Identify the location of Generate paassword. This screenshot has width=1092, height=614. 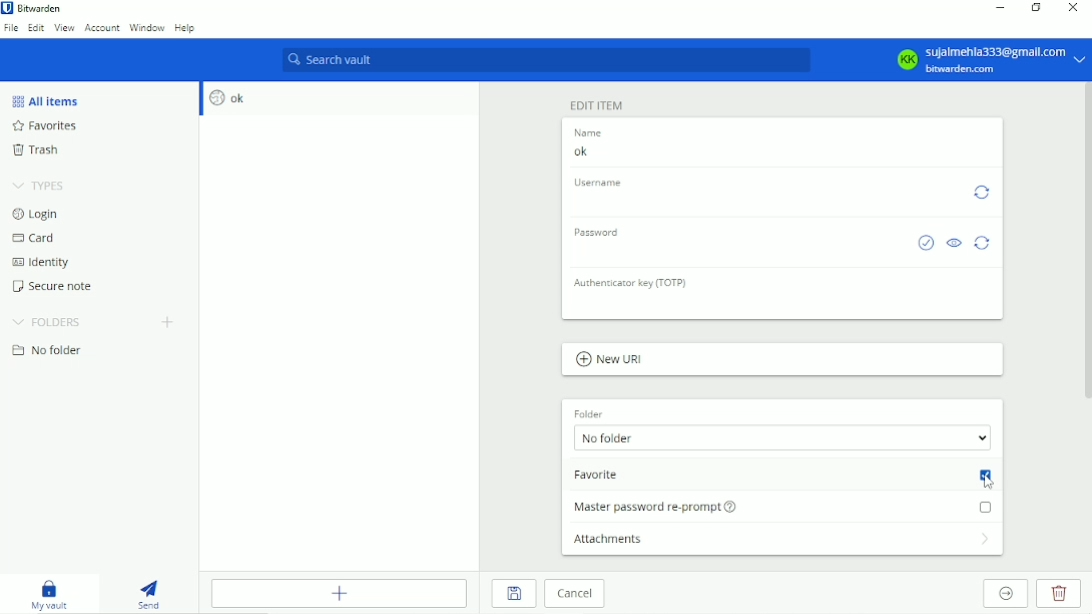
(983, 244).